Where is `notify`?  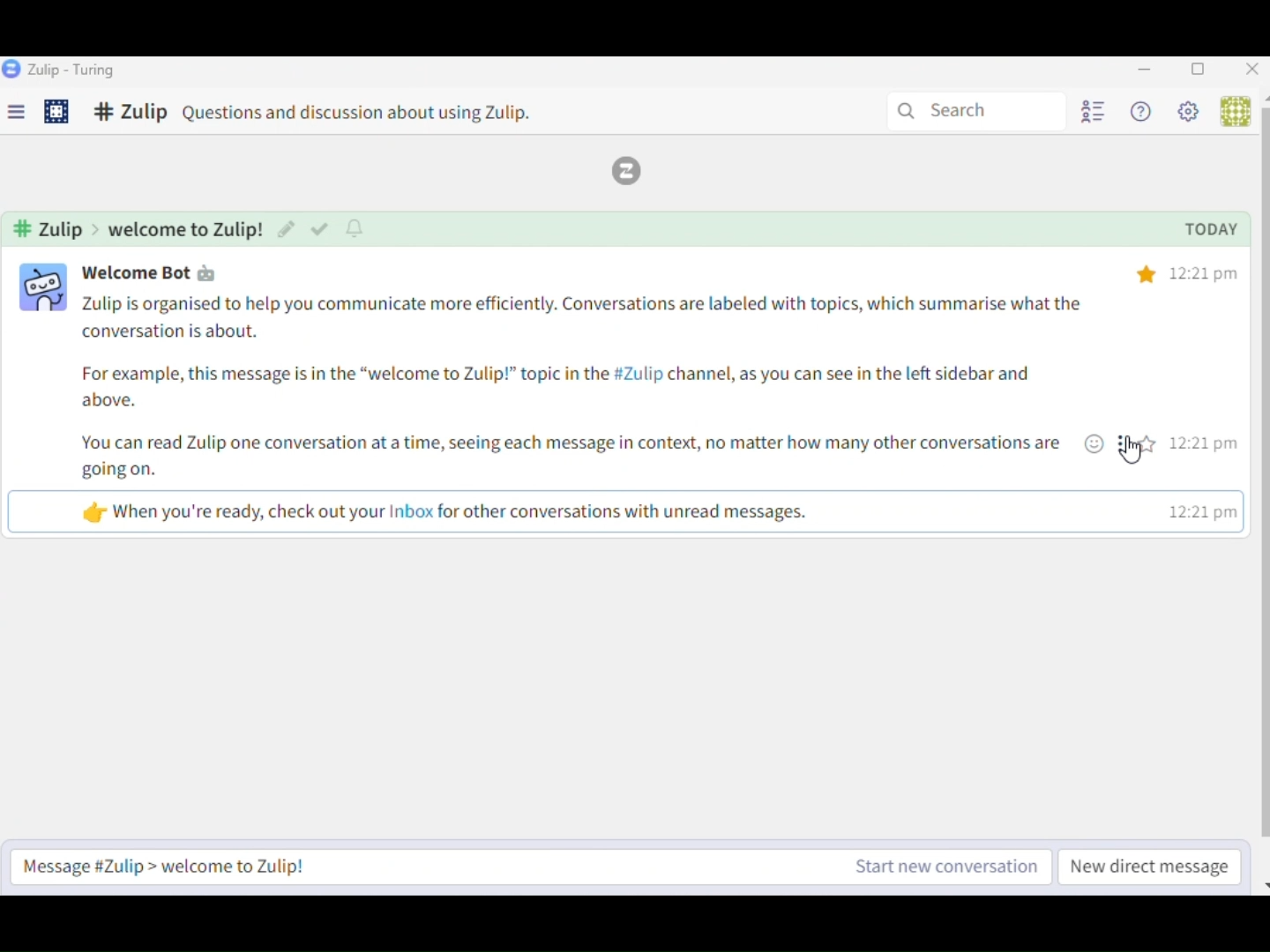 notify is located at coordinates (357, 228).